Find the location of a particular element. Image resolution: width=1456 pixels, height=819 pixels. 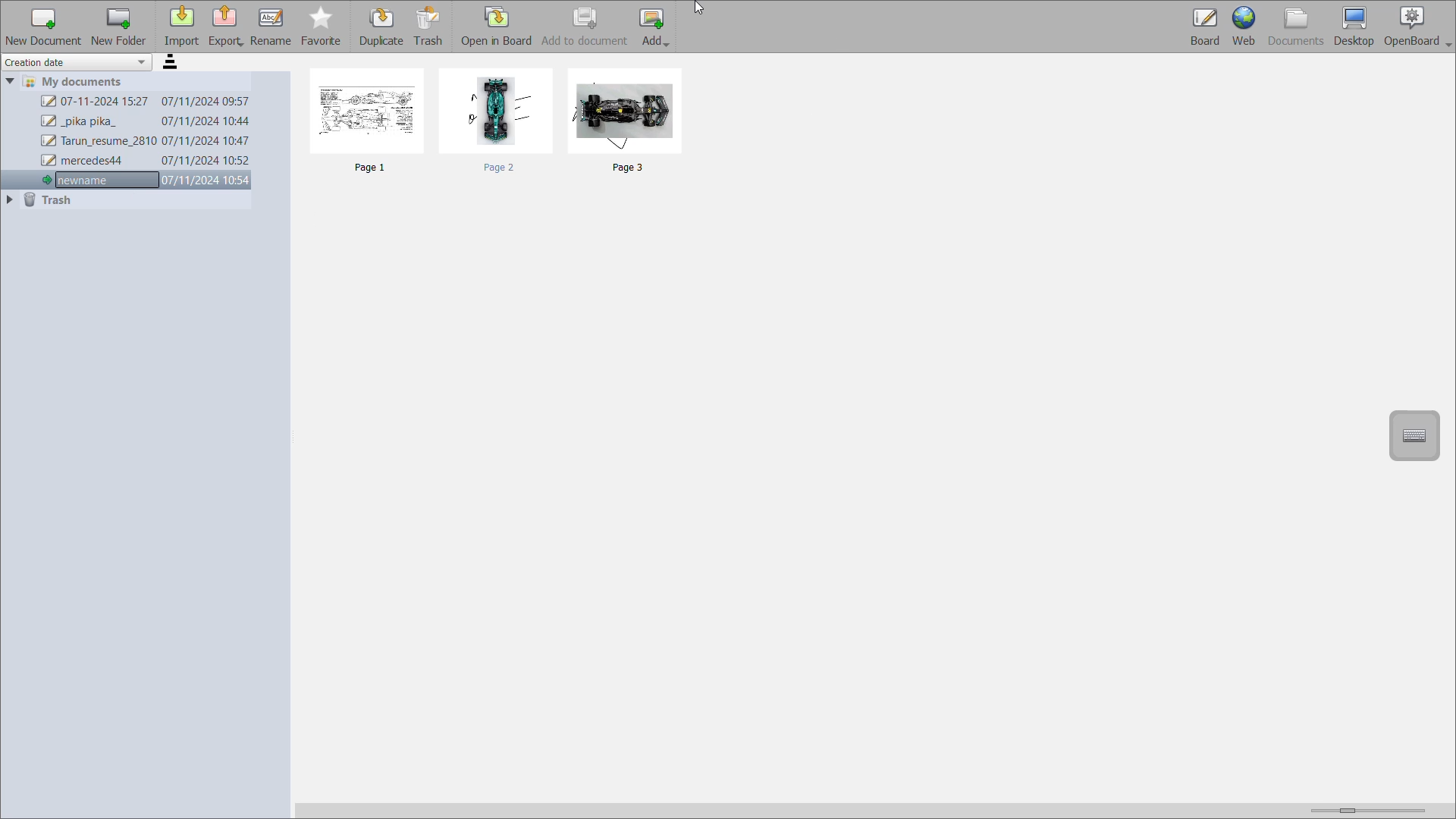

documents is located at coordinates (1294, 27).